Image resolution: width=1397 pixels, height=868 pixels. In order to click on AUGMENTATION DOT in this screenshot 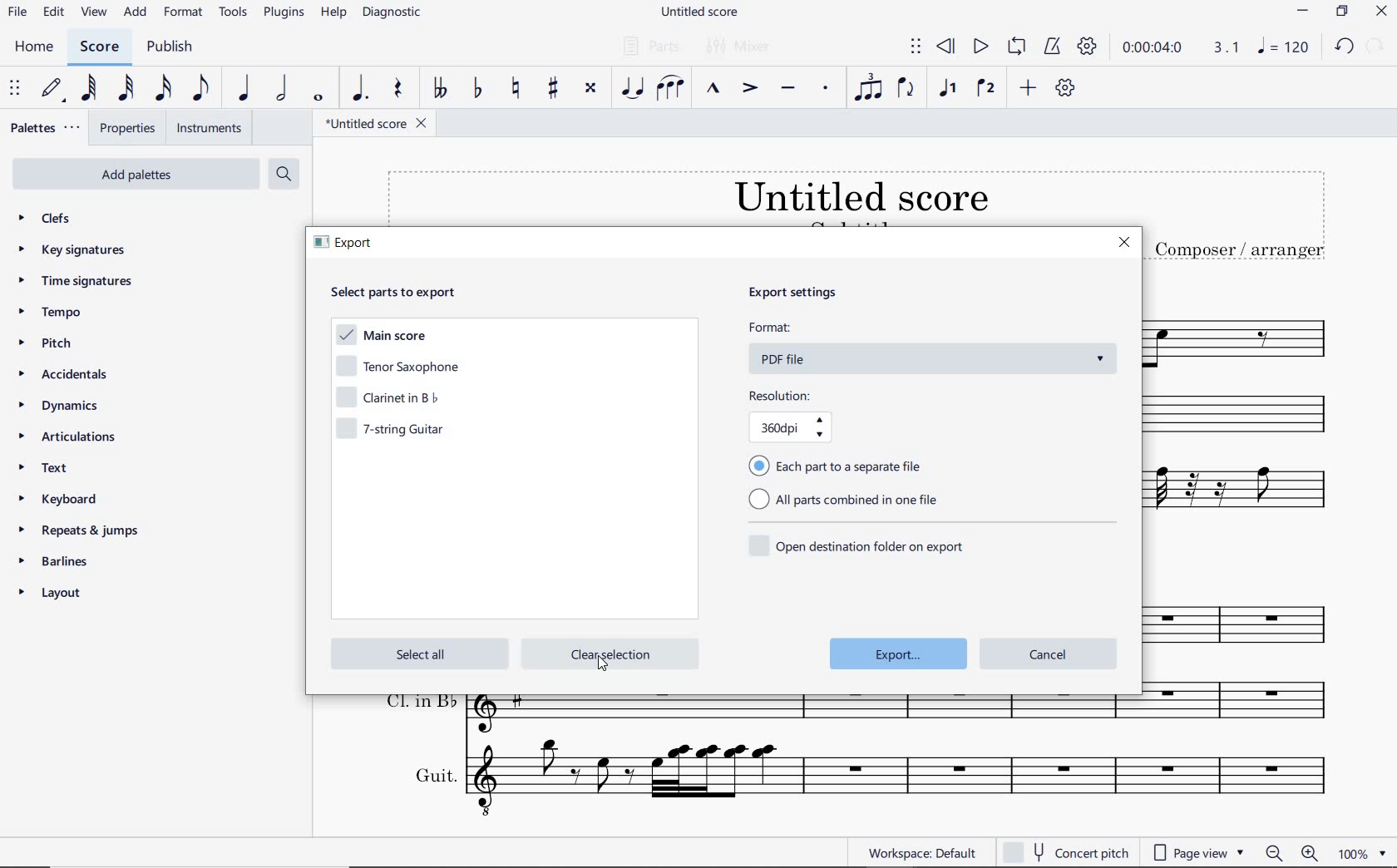, I will do `click(360, 91)`.